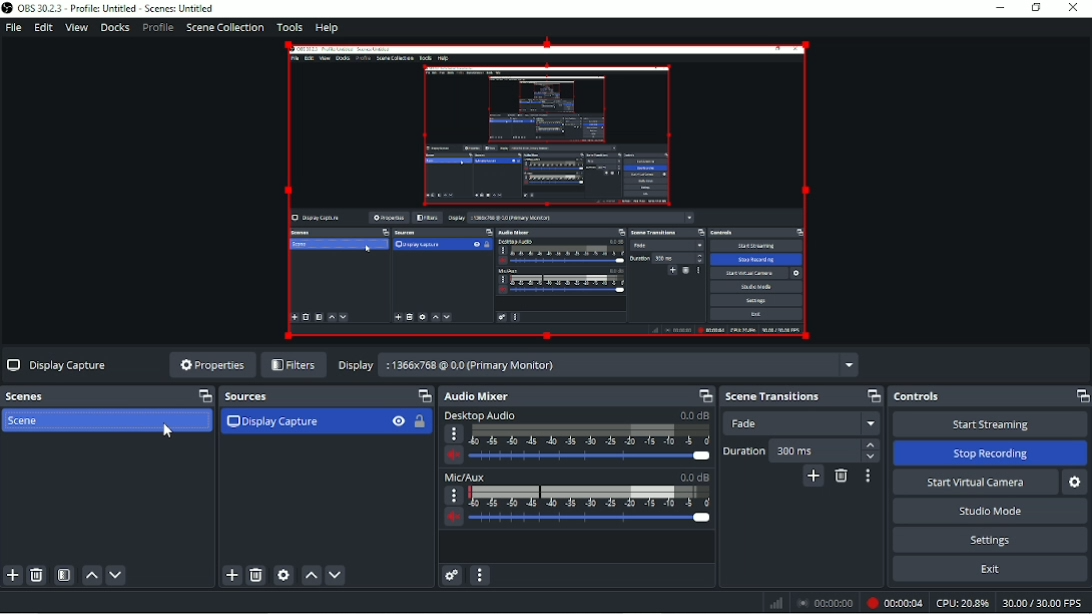 Image resolution: width=1092 pixels, height=614 pixels. I want to click on Lock, so click(423, 423).